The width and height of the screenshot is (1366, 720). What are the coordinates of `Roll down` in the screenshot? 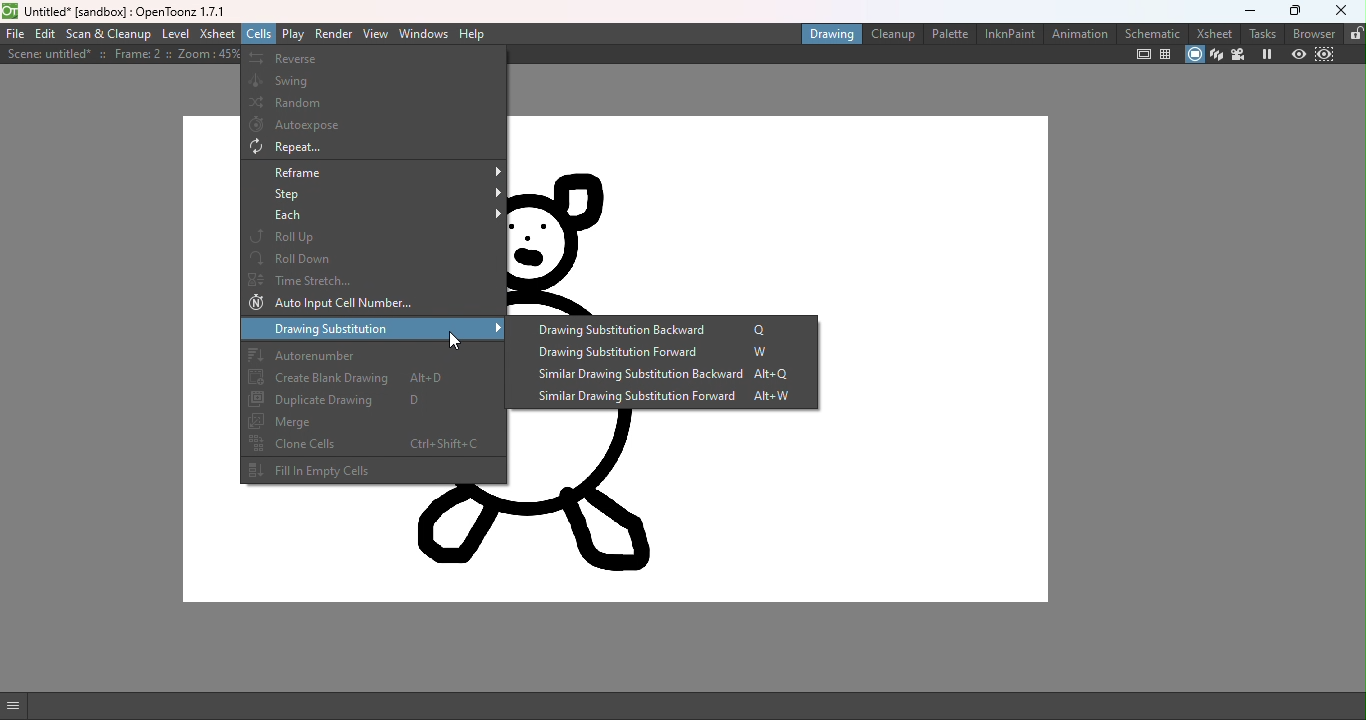 It's located at (373, 257).